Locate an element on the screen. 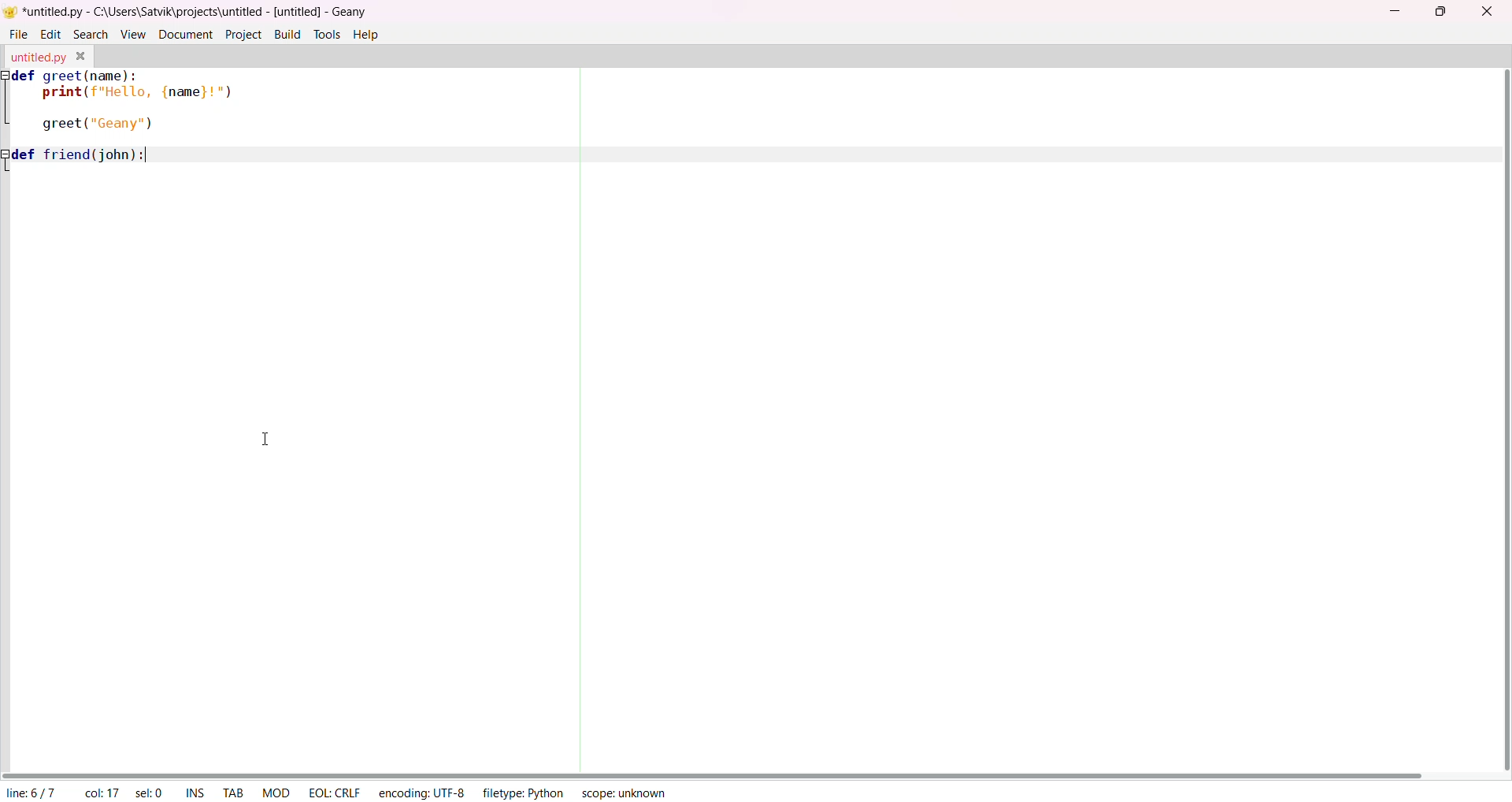 This screenshot has height=802, width=1512. view is located at coordinates (132, 35).